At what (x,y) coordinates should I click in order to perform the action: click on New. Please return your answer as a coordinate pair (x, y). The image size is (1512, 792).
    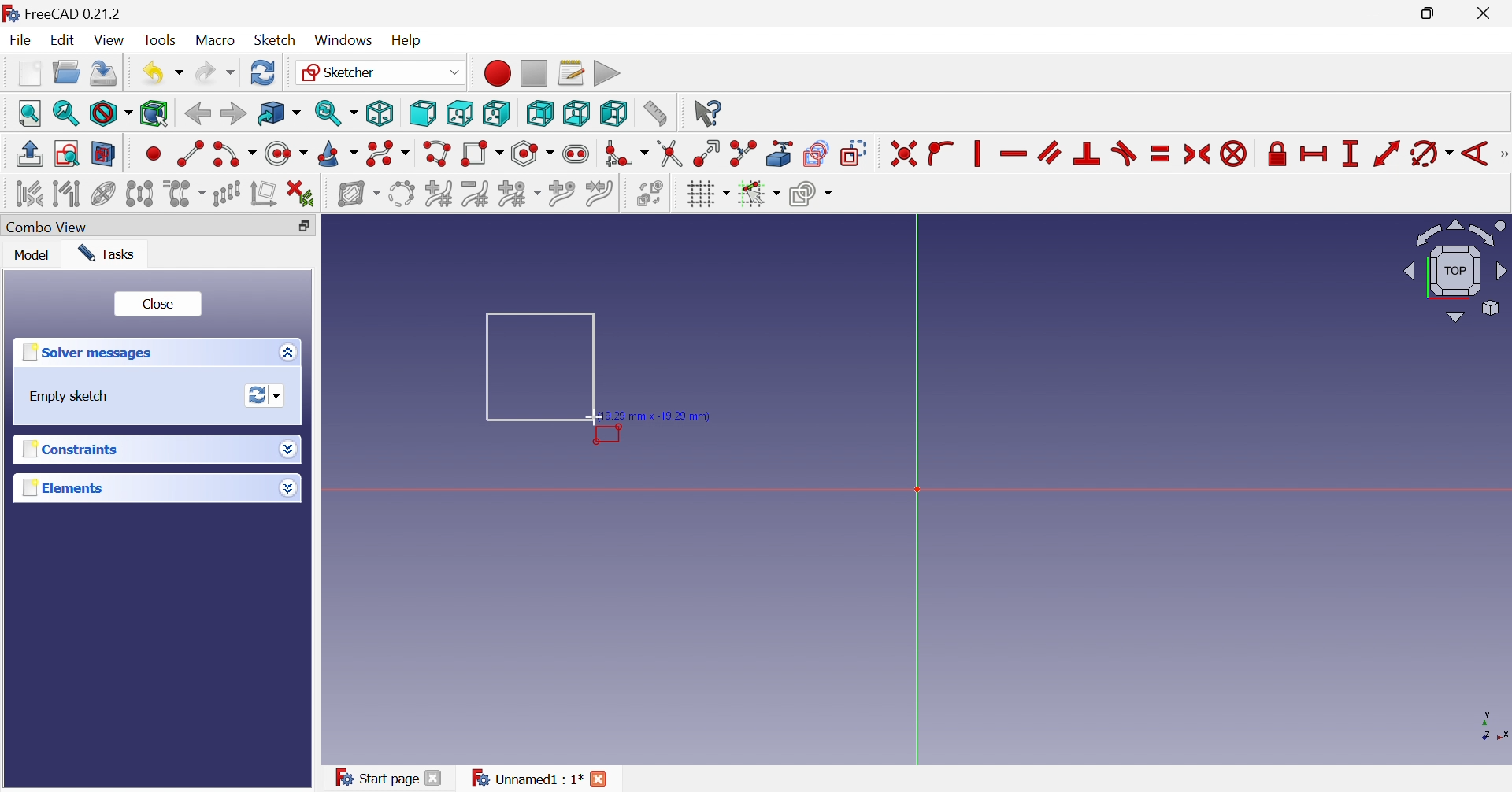
    Looking at the image, I should click on (29, 73).